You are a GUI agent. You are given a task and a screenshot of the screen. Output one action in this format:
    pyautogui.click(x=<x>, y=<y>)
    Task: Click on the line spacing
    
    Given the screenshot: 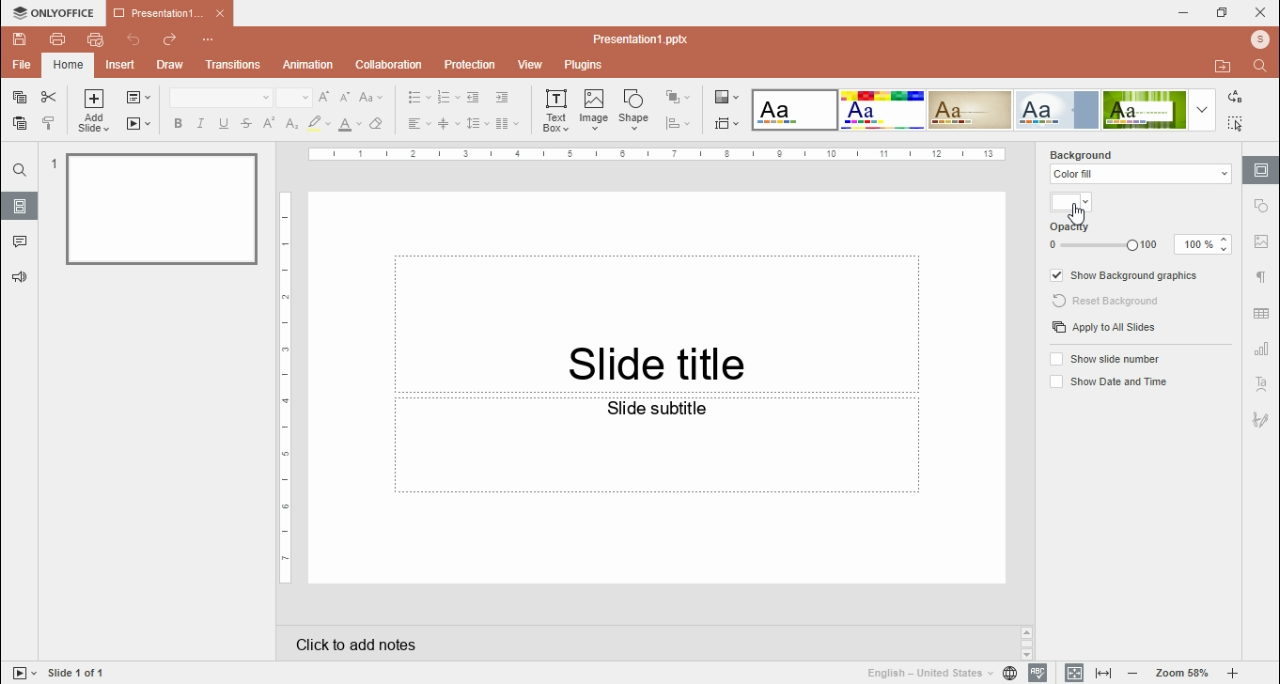 What is the action you would take?
    pyautogui.click(x=477, y=124)
    